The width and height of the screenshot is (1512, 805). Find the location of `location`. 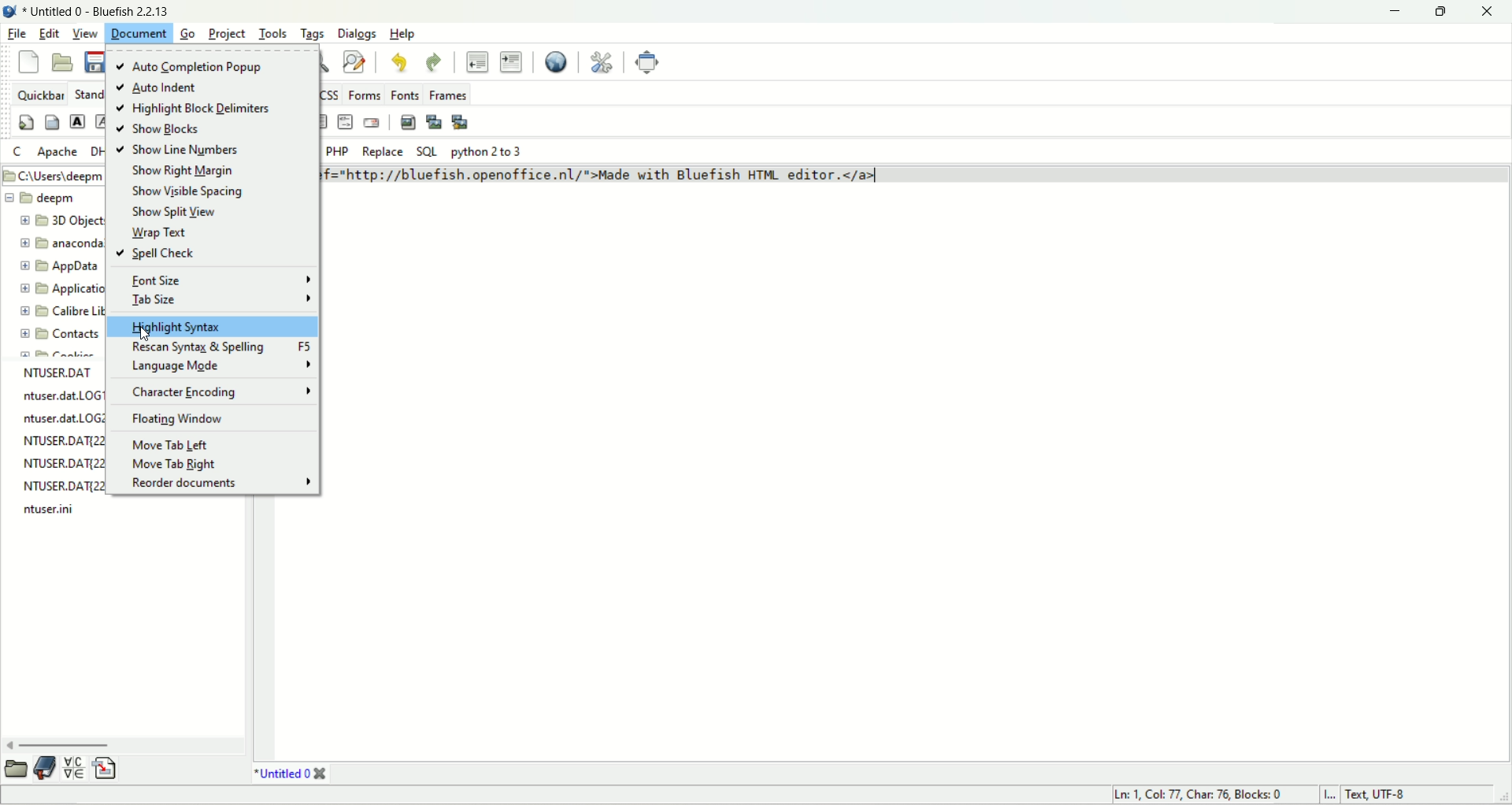

location is located at coordinates (54, 176).